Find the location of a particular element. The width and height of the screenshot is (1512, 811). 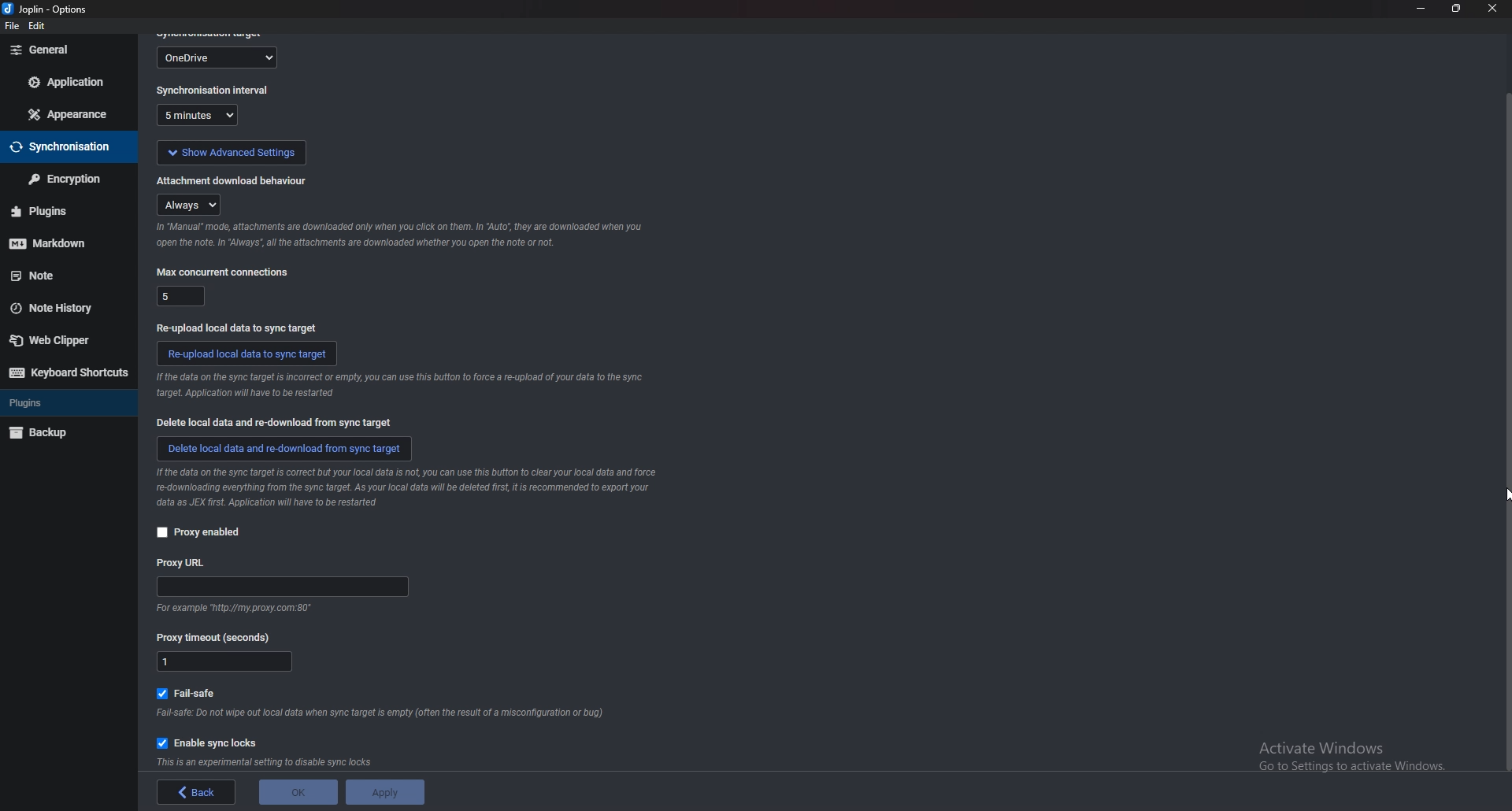

plugins is located at coordinates (61, 405).